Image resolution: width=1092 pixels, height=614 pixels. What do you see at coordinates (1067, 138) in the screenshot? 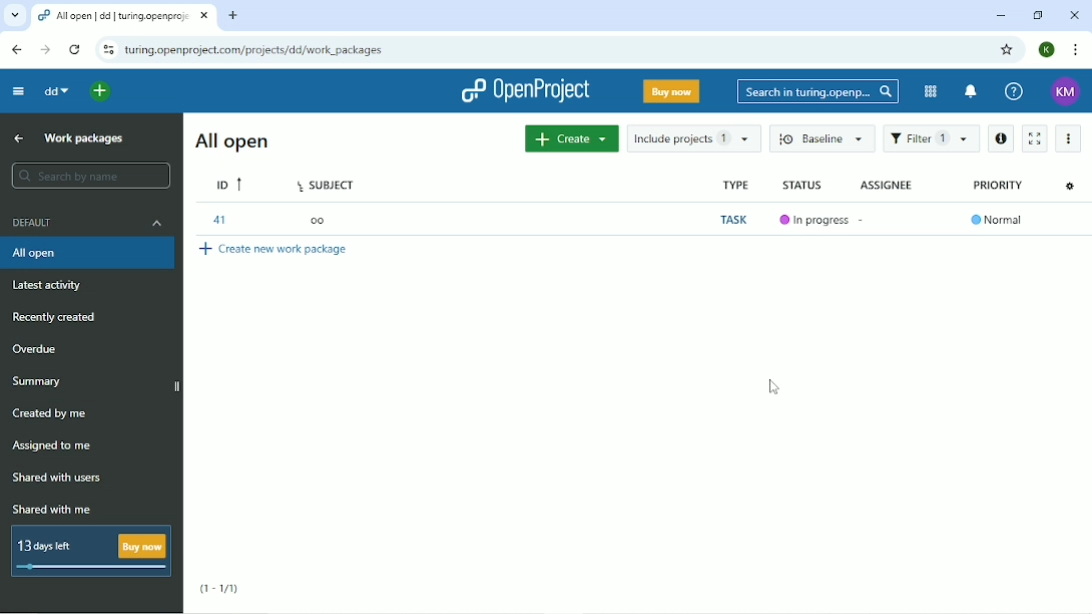
I see `More actions` at bounding box center [1067, 138].